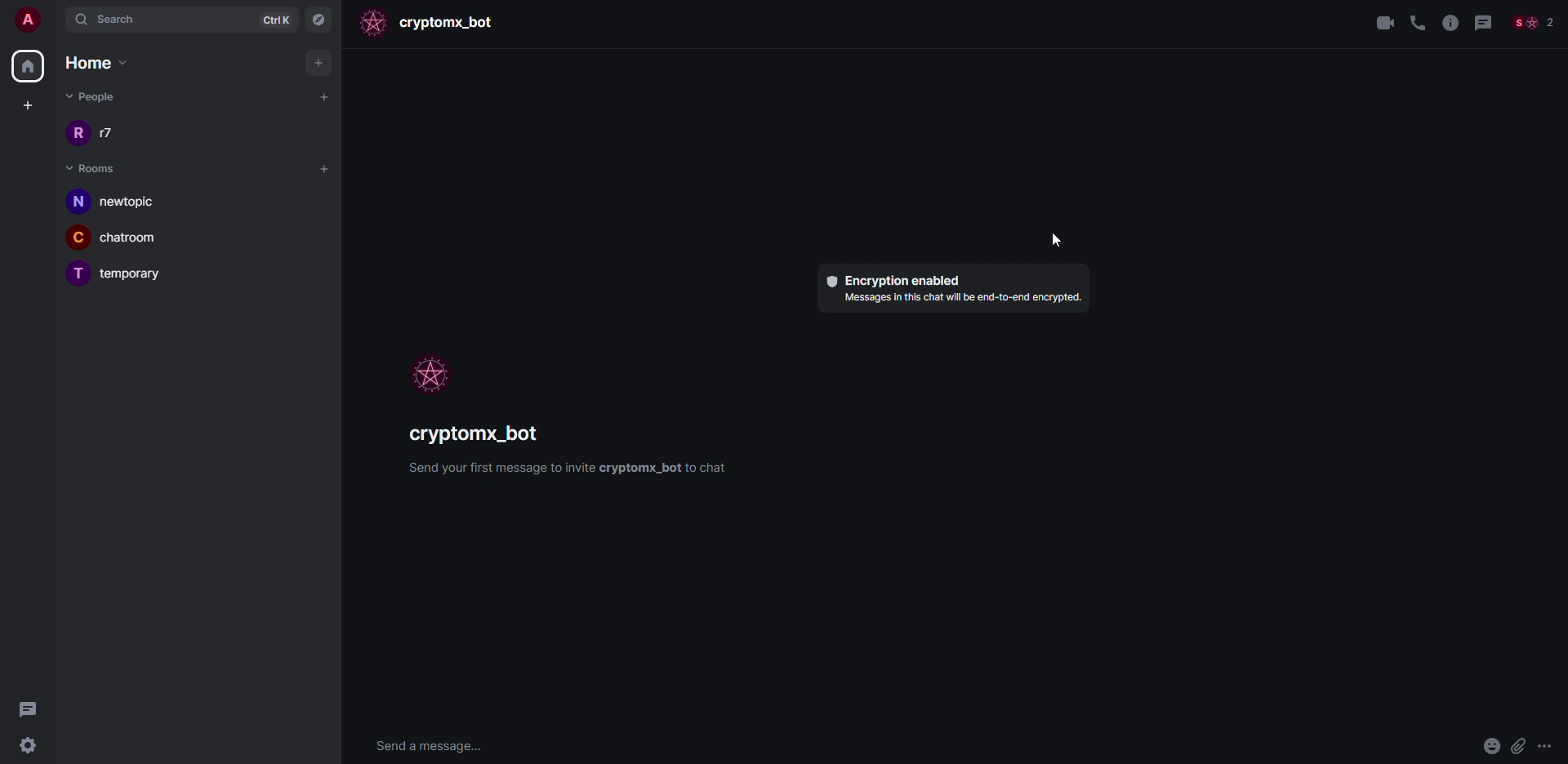 This screenshot has height=764, width=1568. What do you see at coordinates (947, 283) in the screenshot?
I see `encryption enabled` at bounding box center [947, 283].